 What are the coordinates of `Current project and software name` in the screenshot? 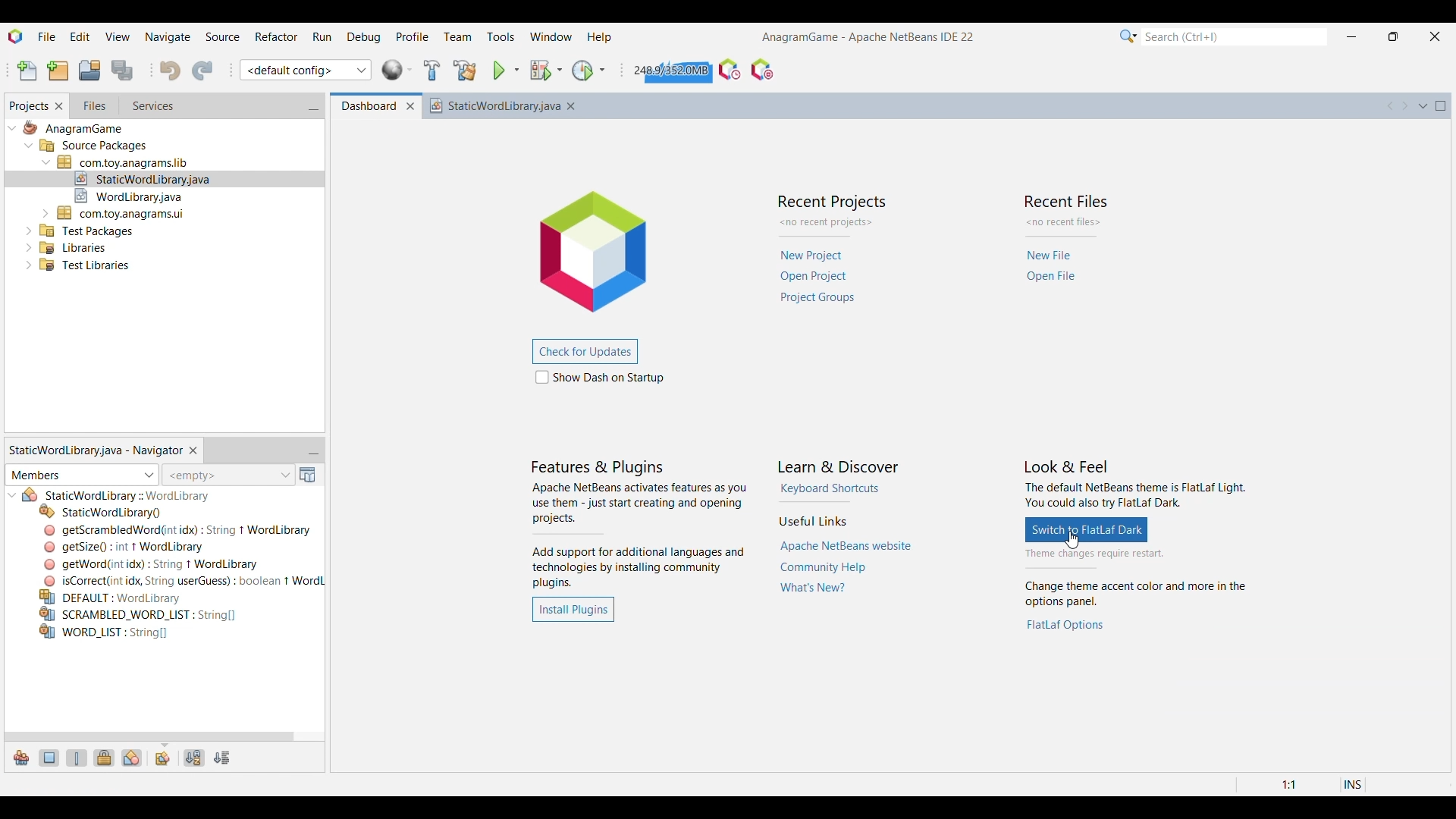 It's located at (868, 37).